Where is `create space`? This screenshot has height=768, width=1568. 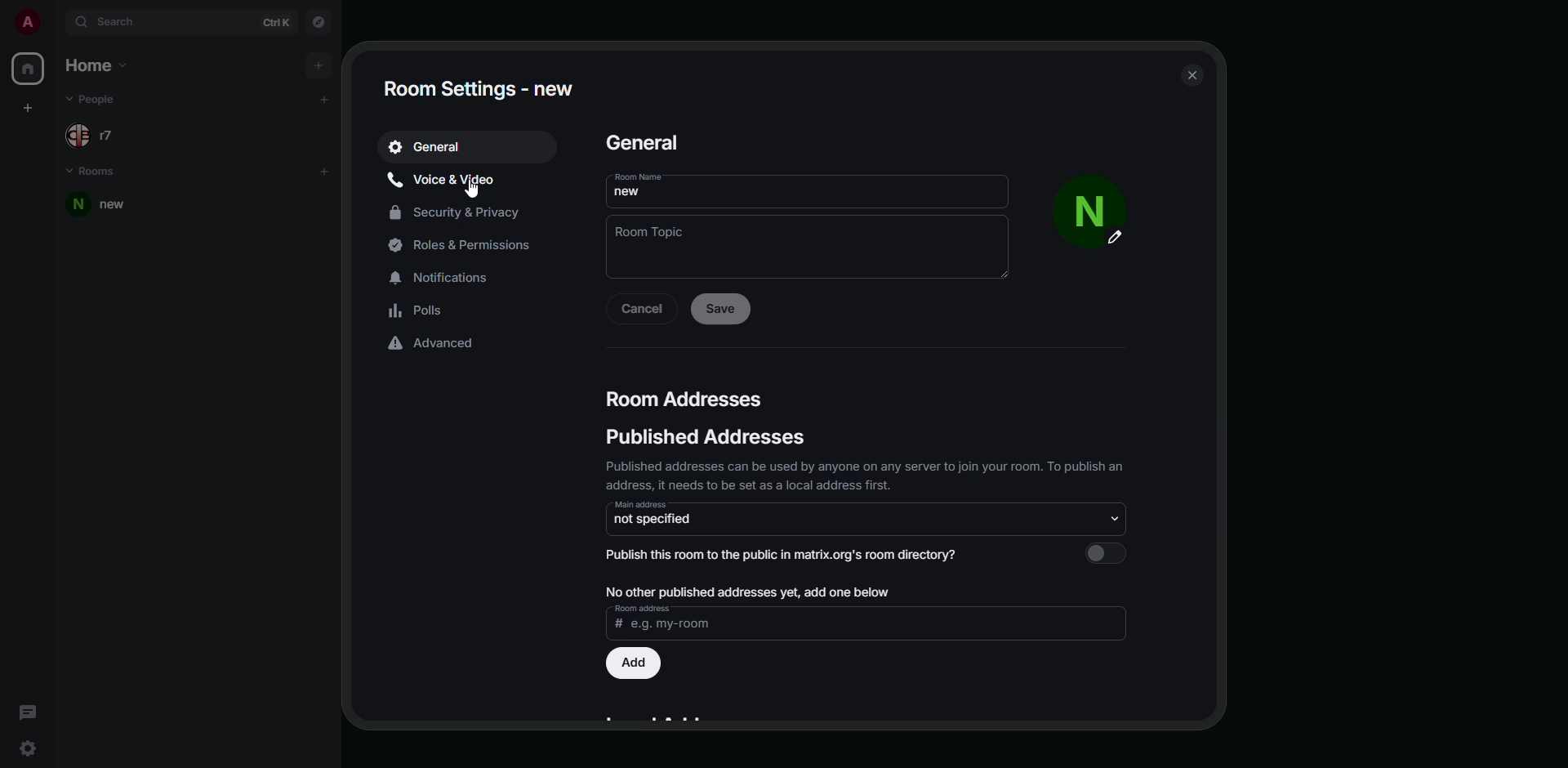 create space is located at coordinates (28, 107).